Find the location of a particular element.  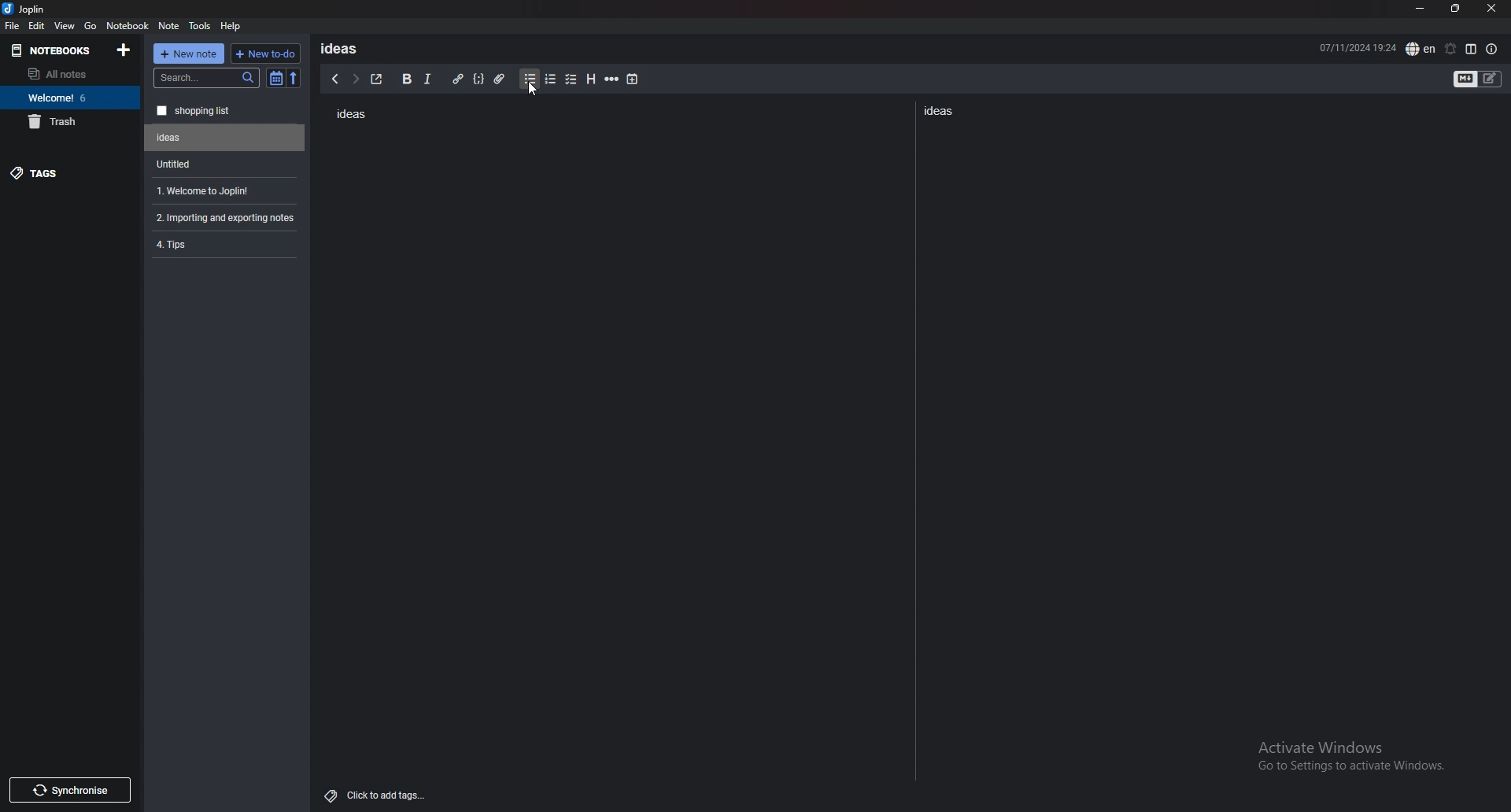

notebooks is located at coordinates (56, 50).